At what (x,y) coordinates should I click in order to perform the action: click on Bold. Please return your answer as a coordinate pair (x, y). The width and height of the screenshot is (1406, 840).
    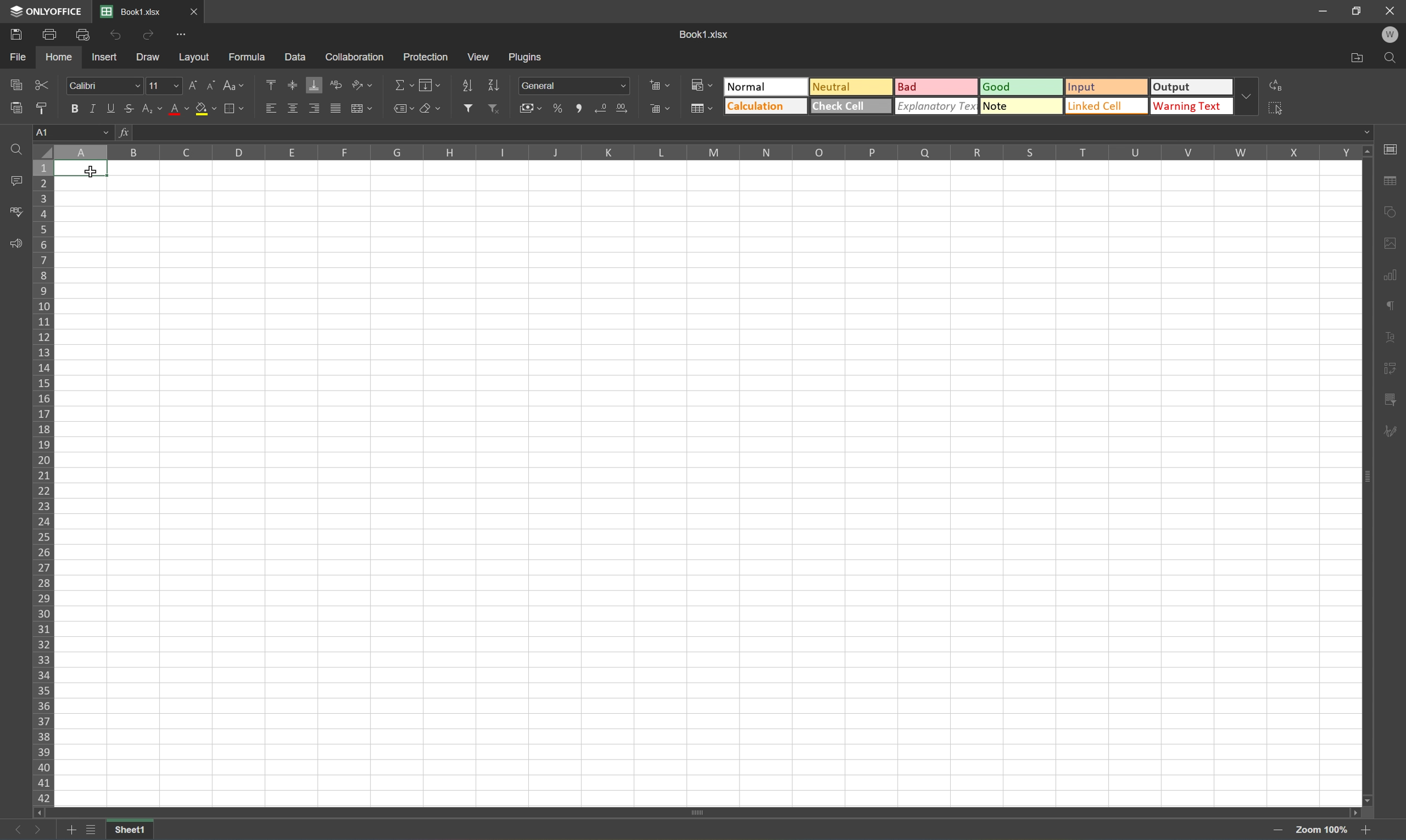
    Looking at the image, I should click on (73, 107).